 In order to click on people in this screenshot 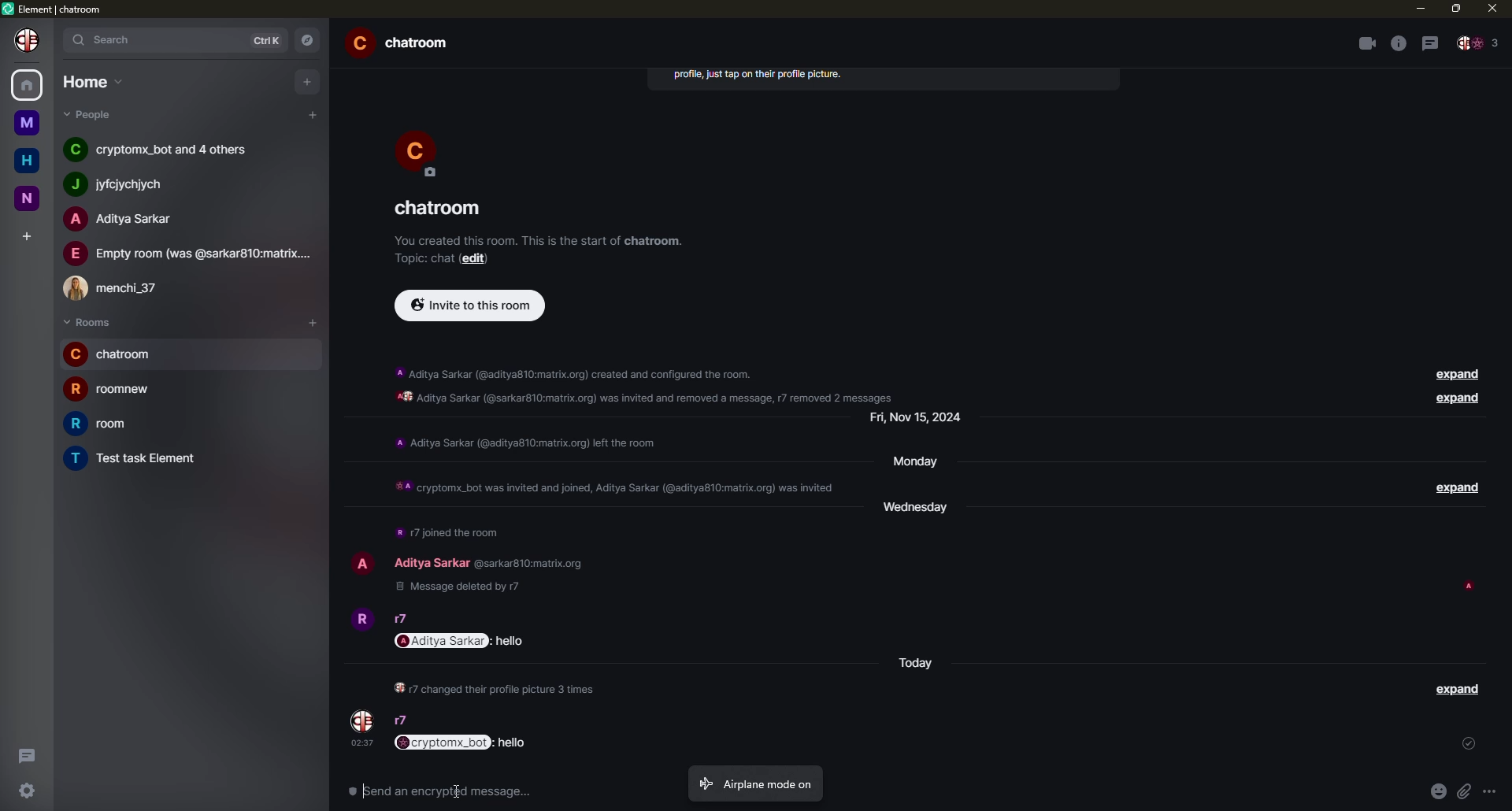, I will do `click(126, 183)`.